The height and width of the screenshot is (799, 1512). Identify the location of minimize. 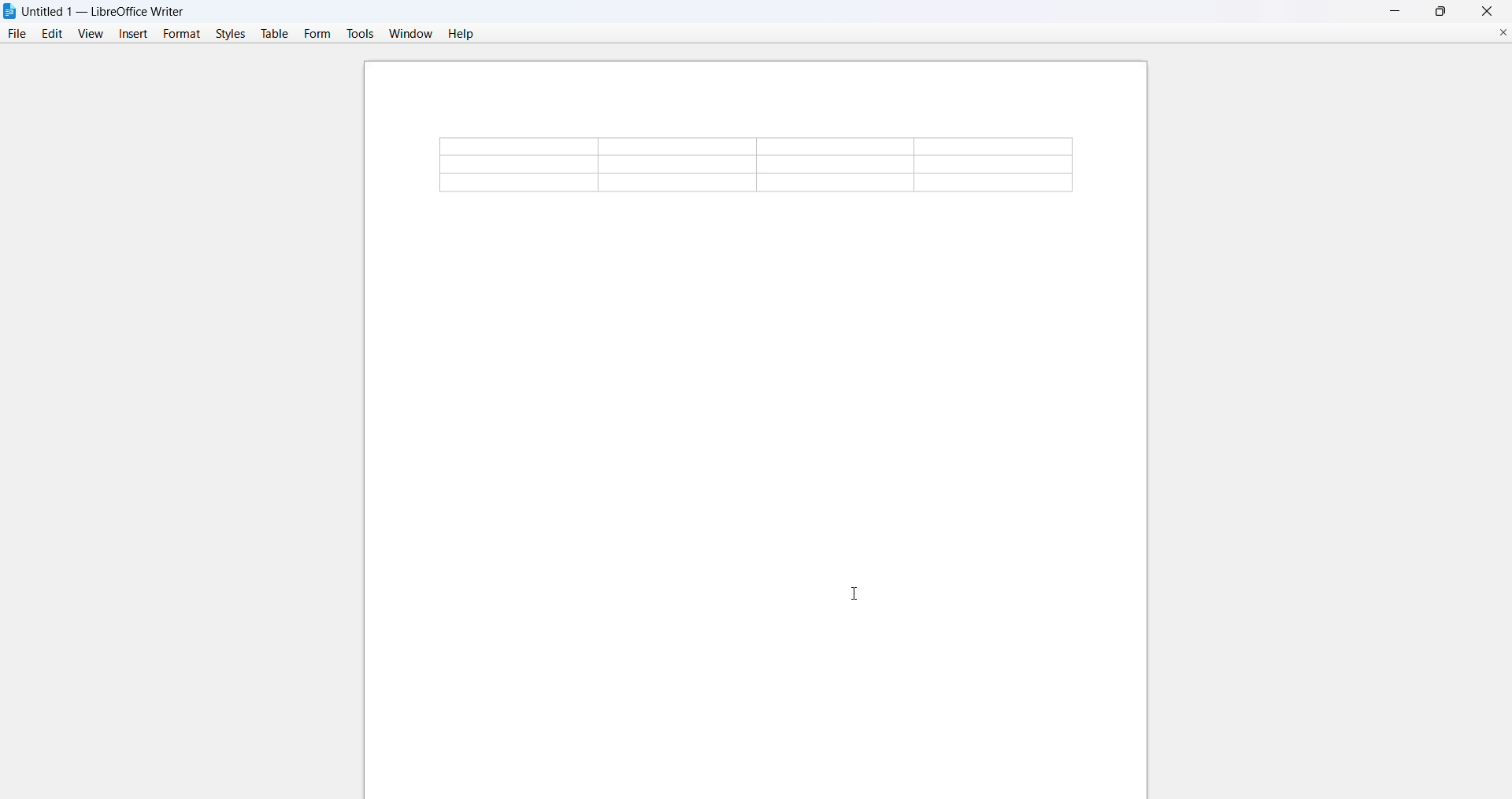
(1391, 10).